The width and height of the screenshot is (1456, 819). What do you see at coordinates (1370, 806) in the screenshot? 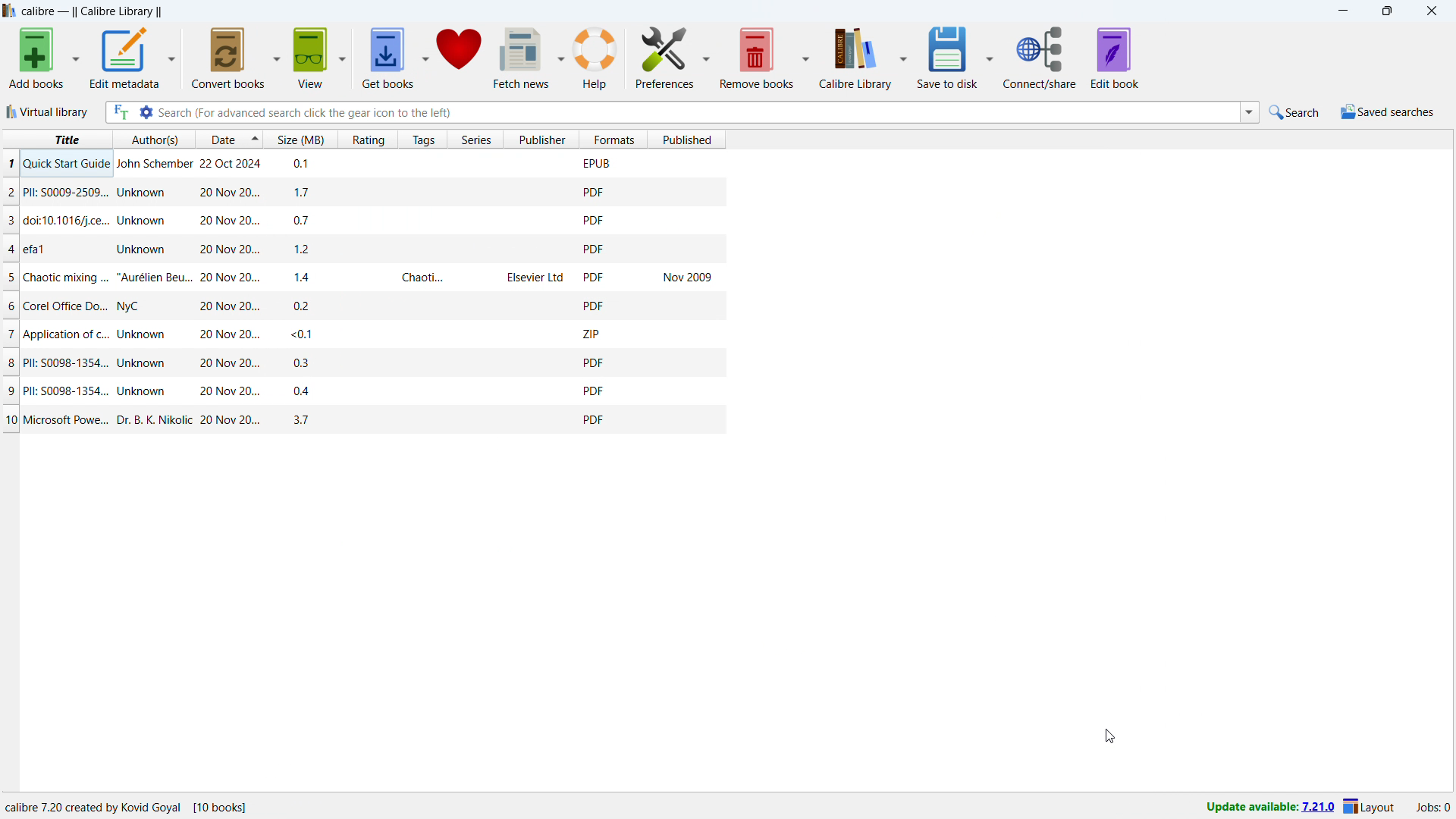
I see `layout` at bounding box center [1370, 806].